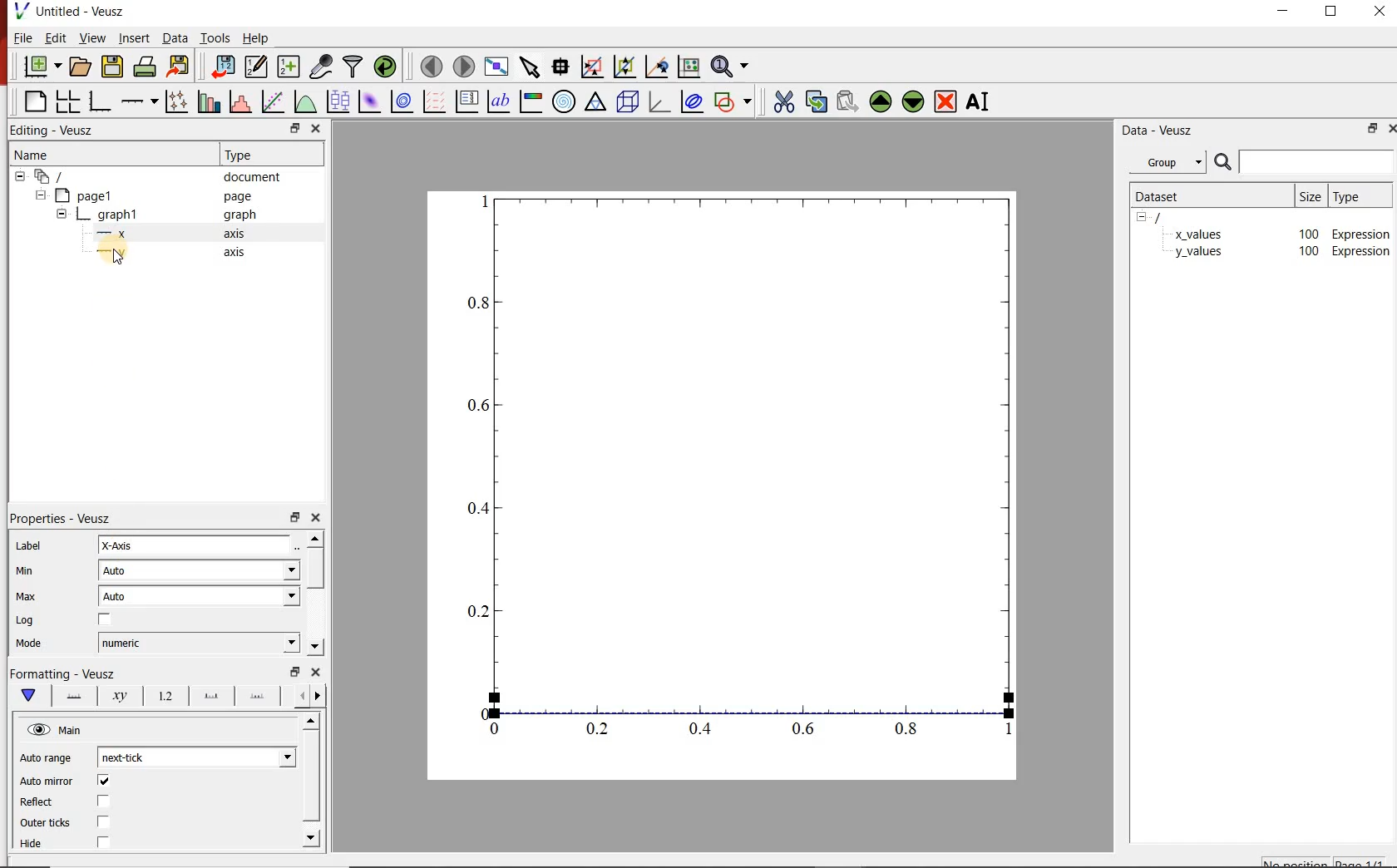 This screenshot has height=868, width=1397. Describe the element at coordinates (106, 619) in the screenshot. I see `checkbox` at that location.